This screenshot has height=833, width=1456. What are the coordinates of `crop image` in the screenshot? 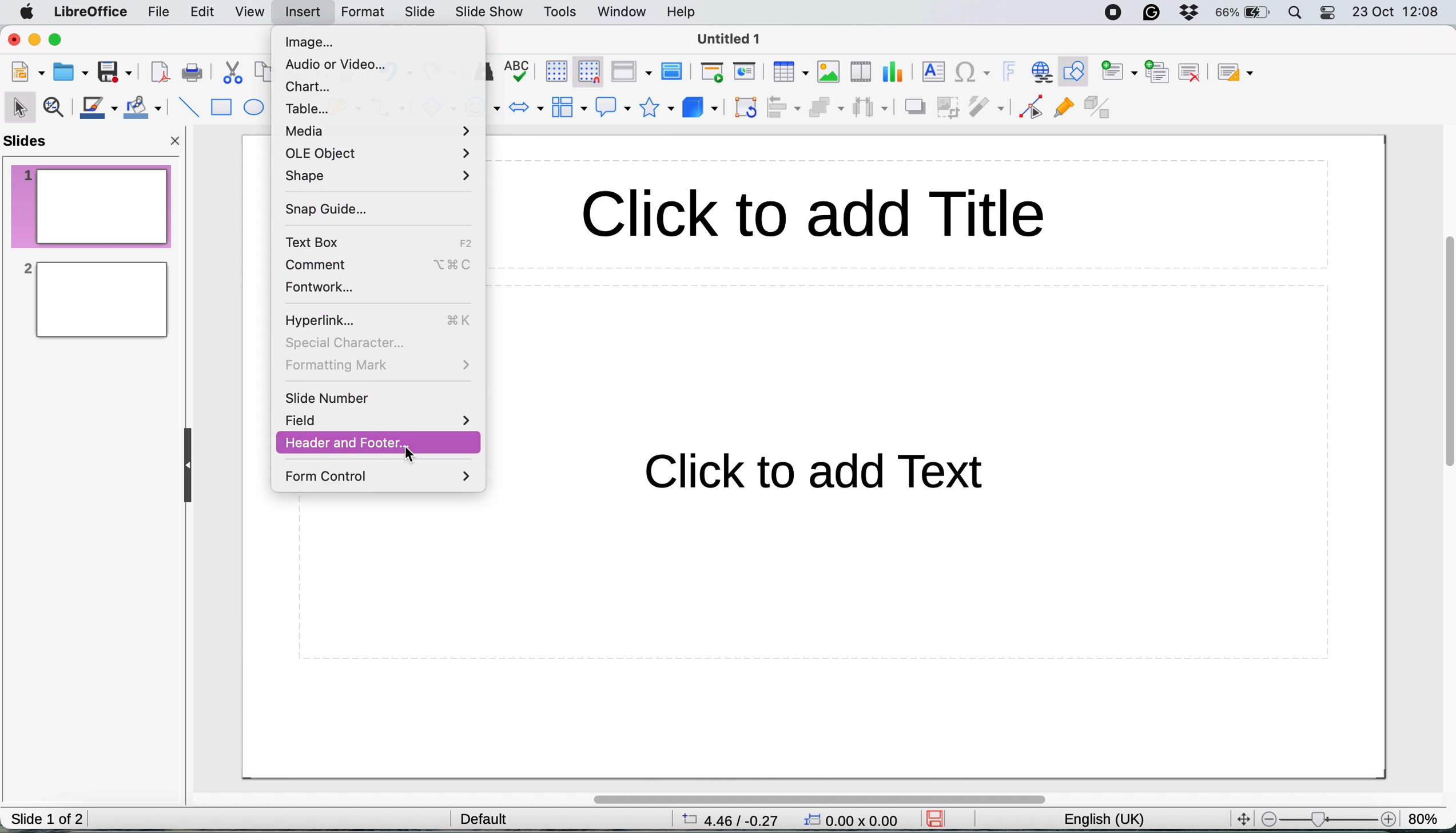 It's located at (950, 106).